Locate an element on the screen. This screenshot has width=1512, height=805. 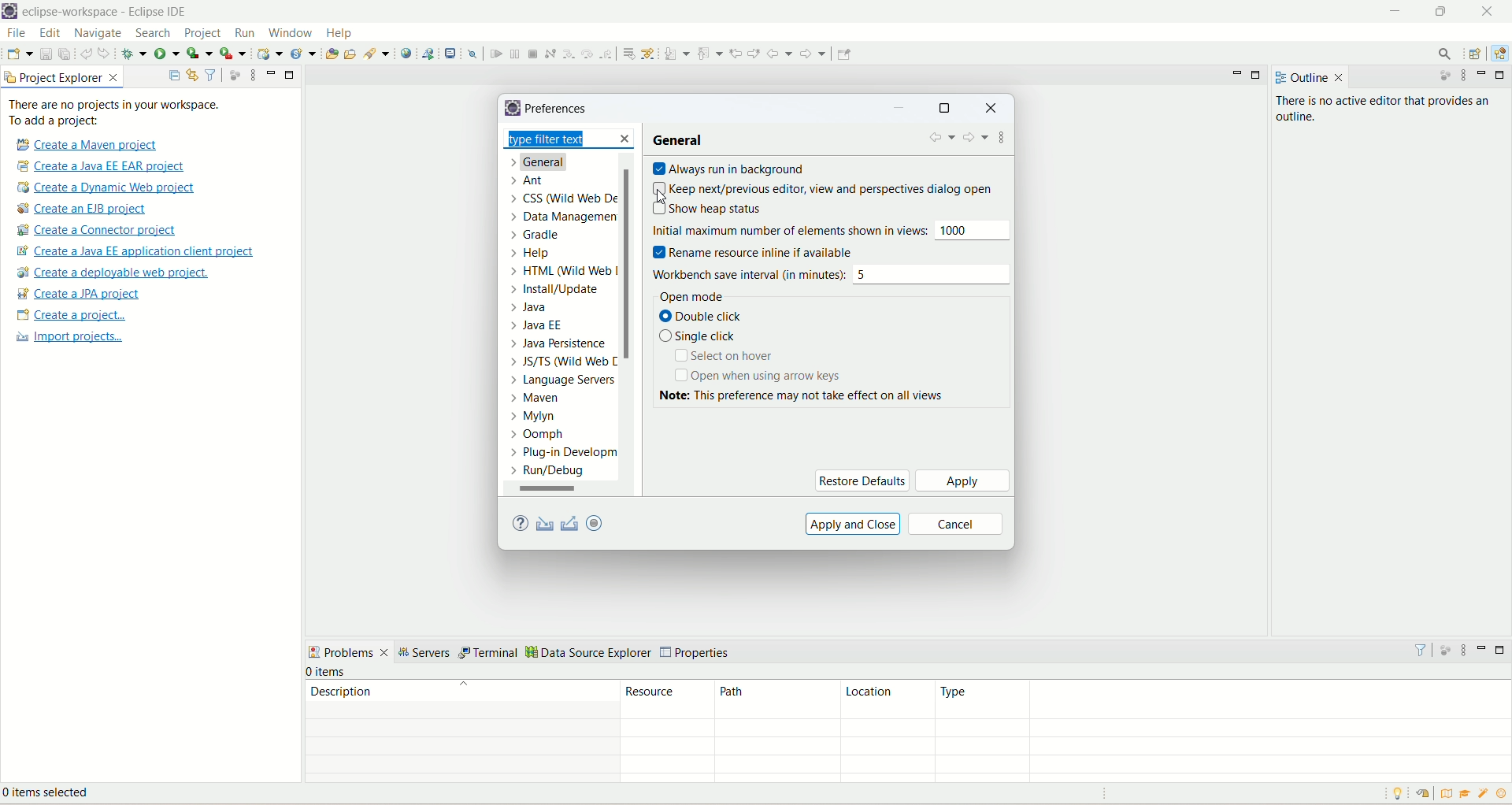
general is located at coordinates (682, 140).